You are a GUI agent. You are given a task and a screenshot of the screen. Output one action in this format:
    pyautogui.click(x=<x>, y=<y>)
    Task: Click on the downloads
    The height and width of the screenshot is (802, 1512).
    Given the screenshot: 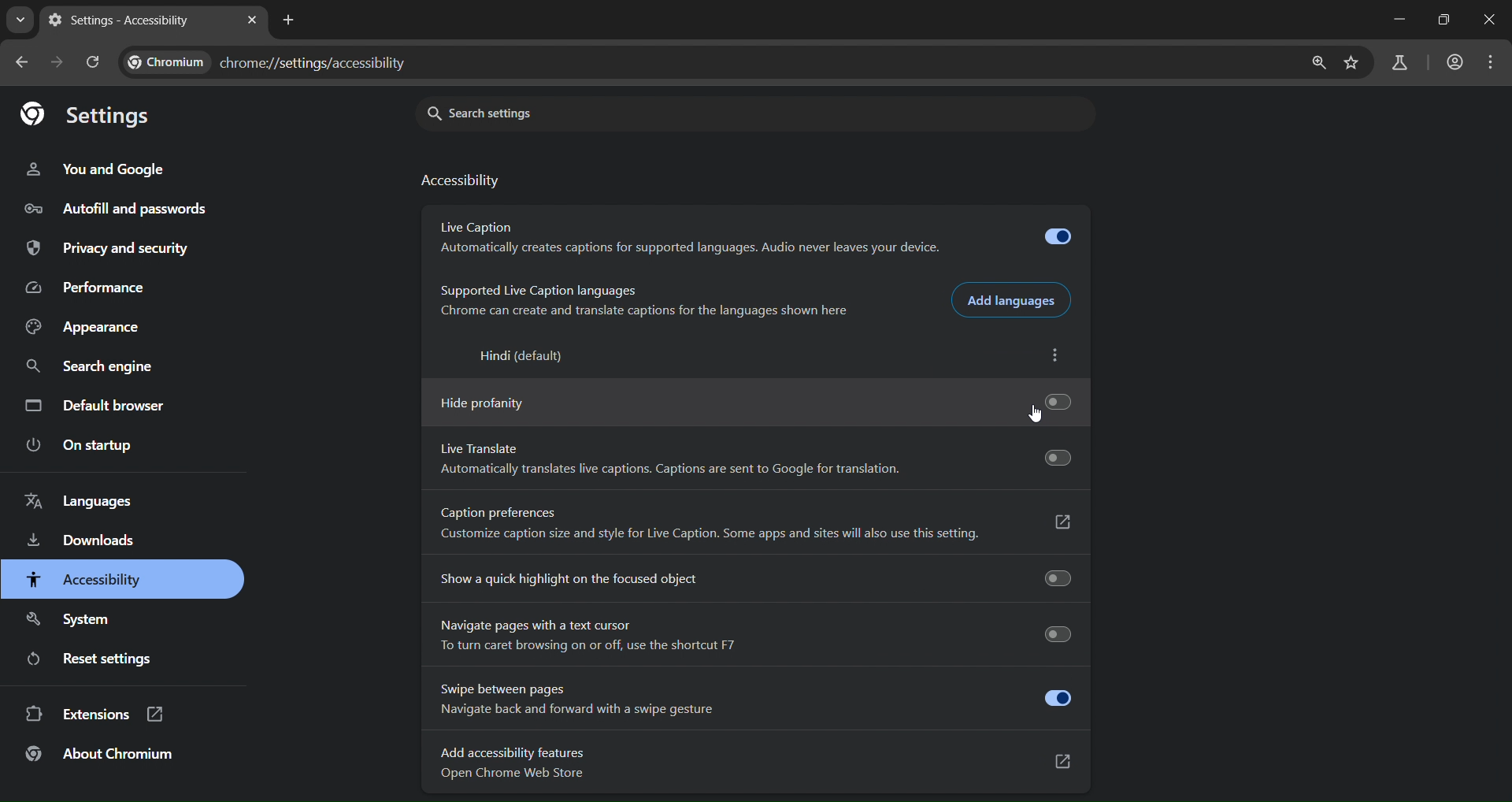 What is the action you would take?
    pyautogui.click(x=82, y=539)
    